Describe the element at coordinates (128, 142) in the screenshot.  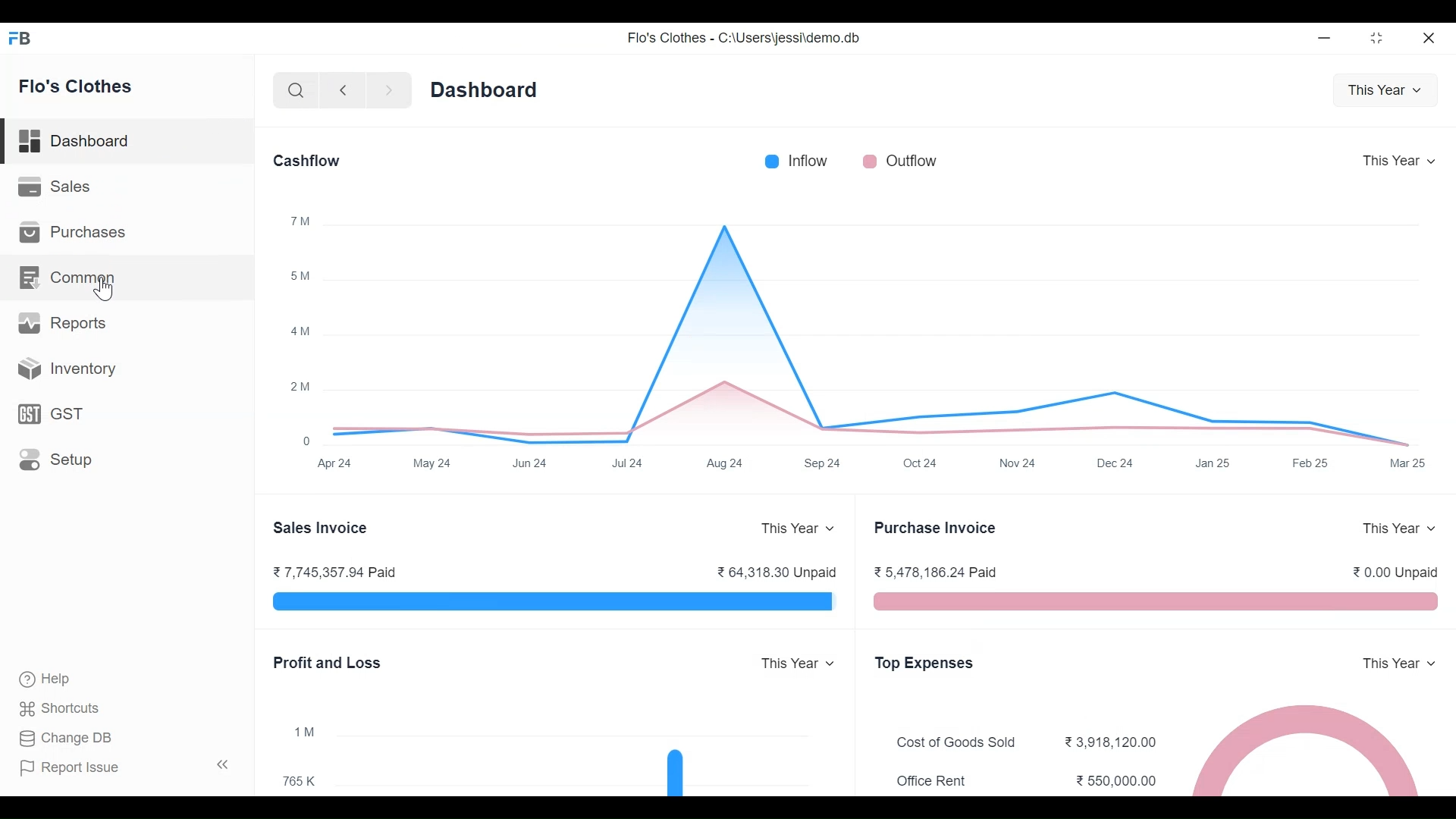
I see `Dashboard` at that location.